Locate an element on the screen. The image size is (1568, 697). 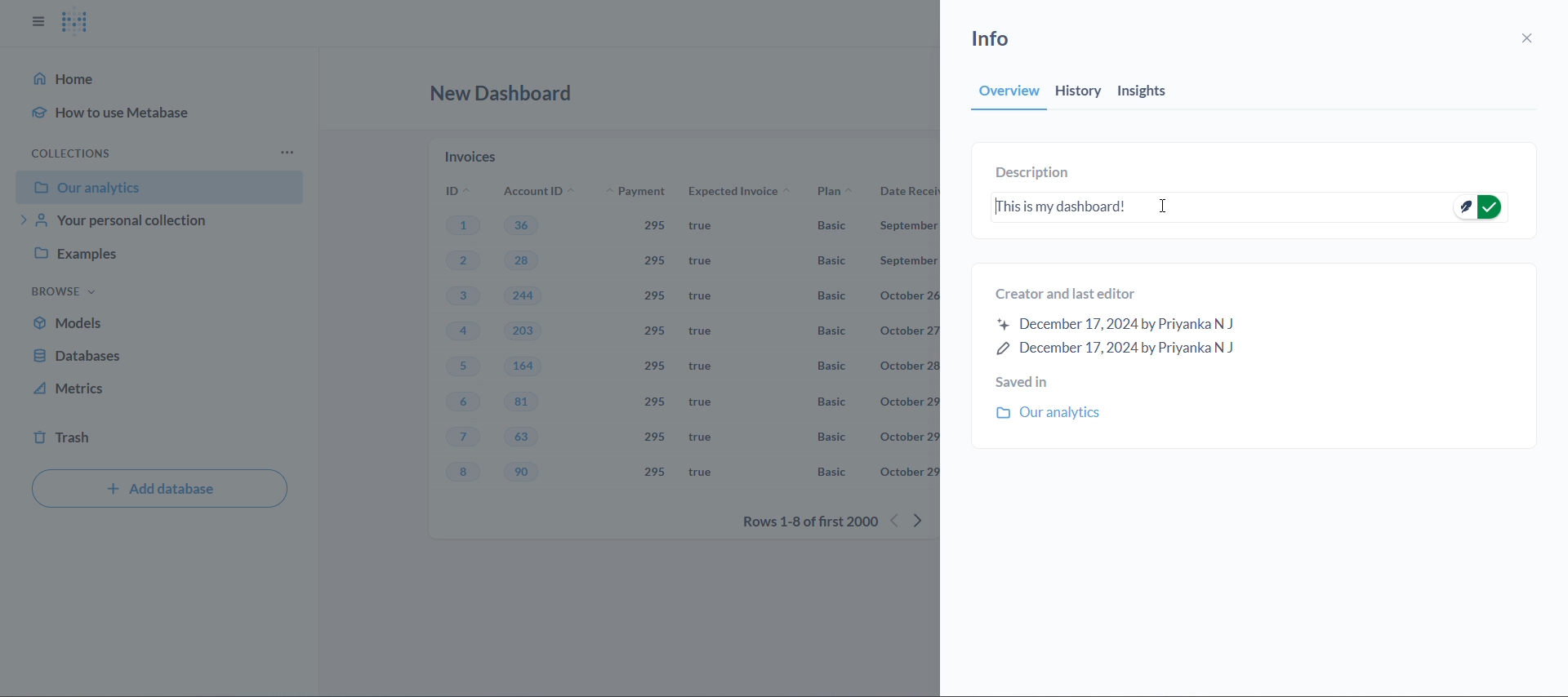
logo is located at coordinates (73, 24).